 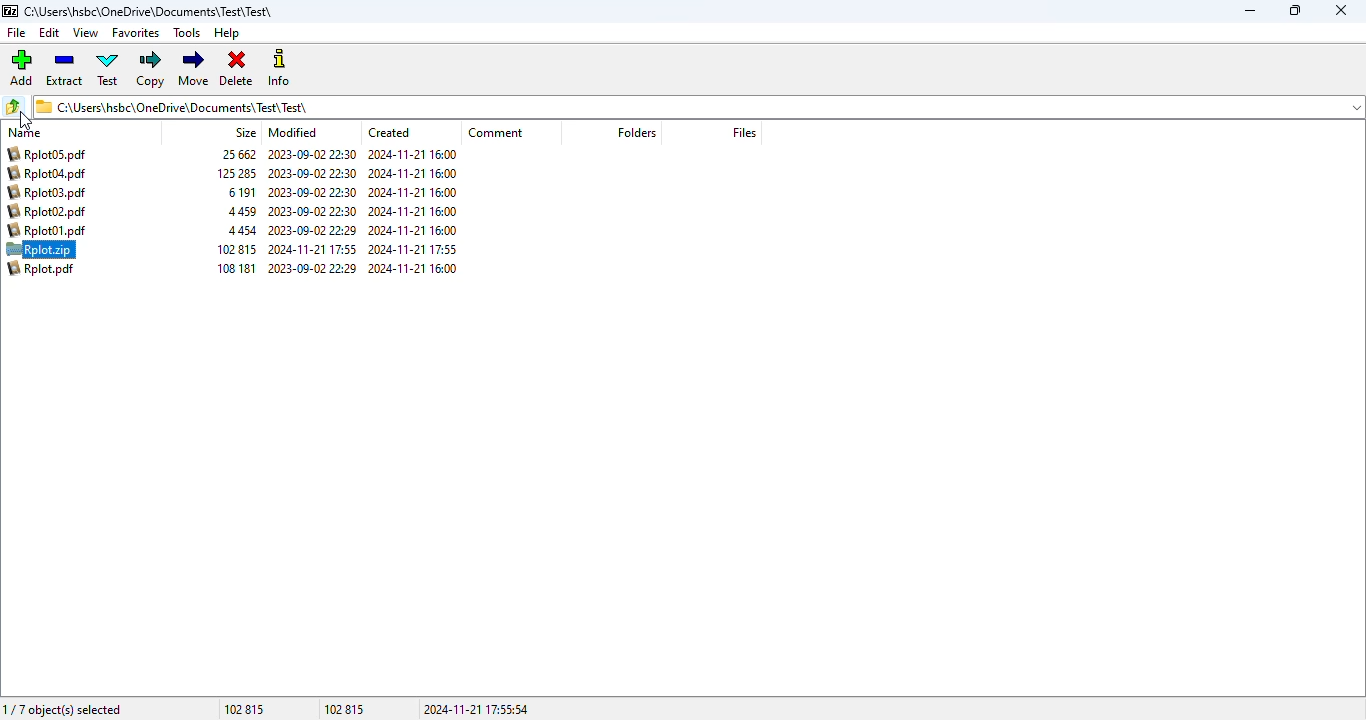 What do you see at coordinates (172, 107) in the screenshot?
I see `C:\Users\hsbc\OneDrive\Documents\Test\Test\` at bounding box center [172, 107].